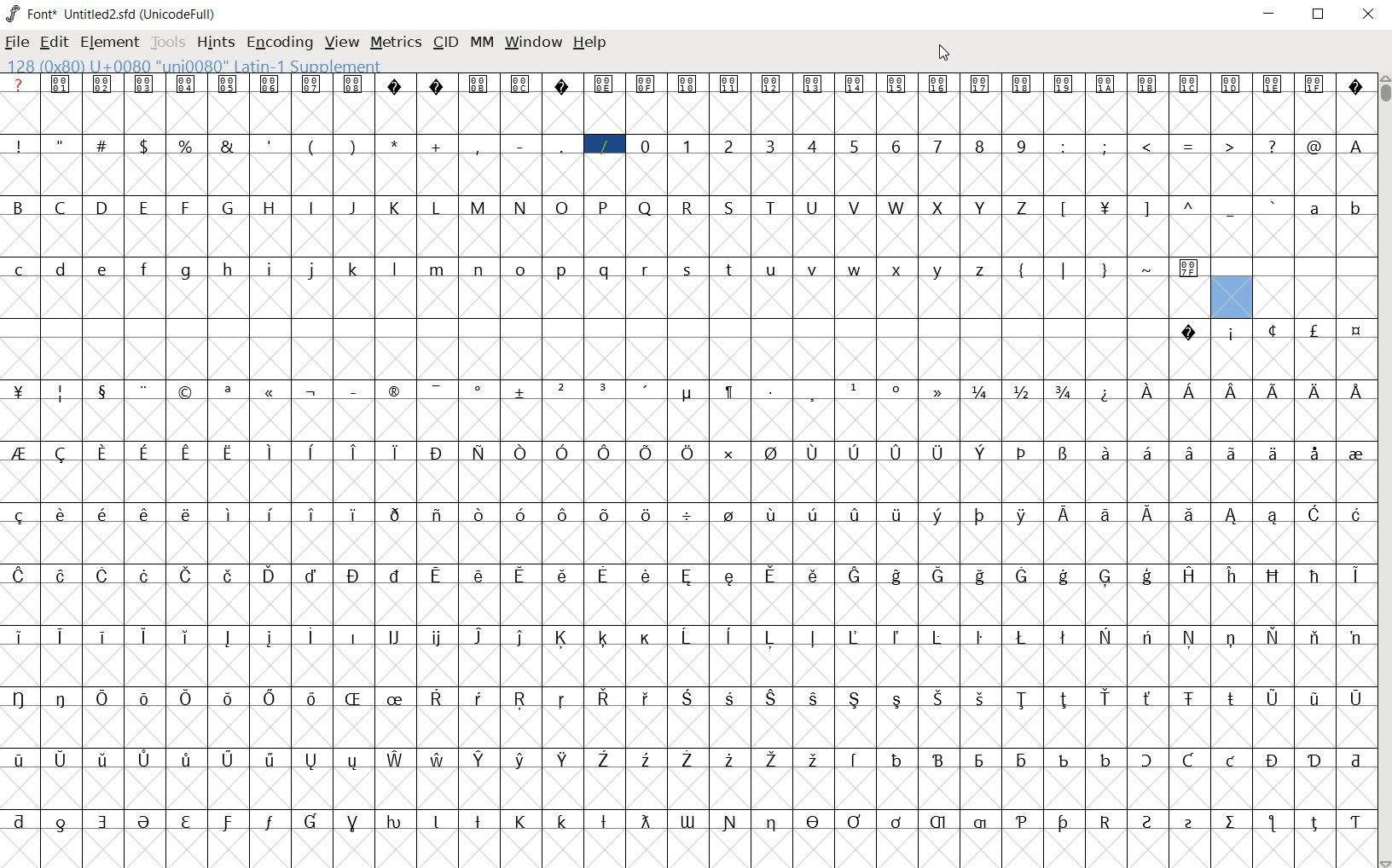 The width and height of the screenshot is (1392, 868). I want to click on glyph, so click(102, 206).